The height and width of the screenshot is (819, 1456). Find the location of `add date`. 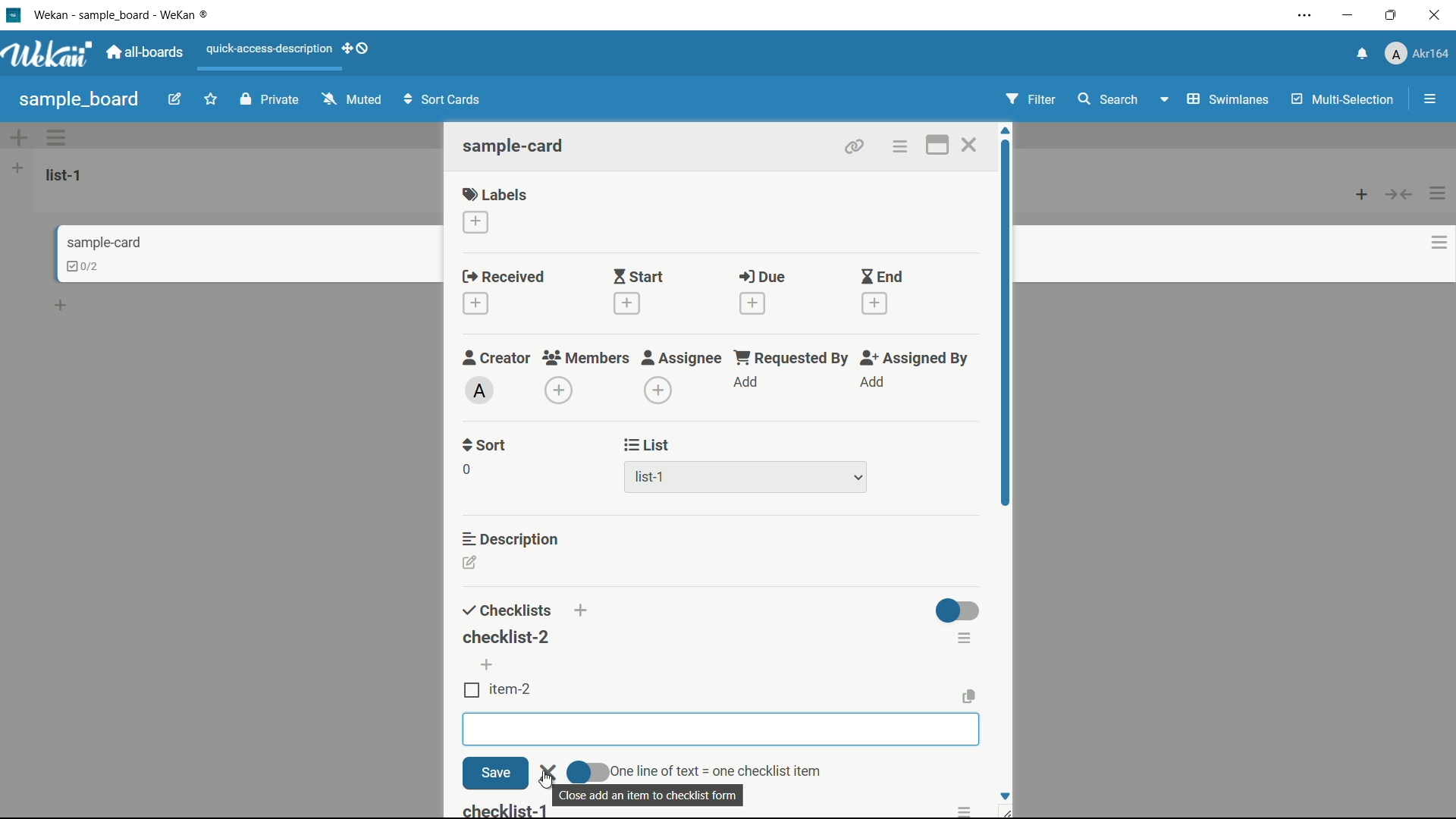

add date is located at coordinates (625, 303).